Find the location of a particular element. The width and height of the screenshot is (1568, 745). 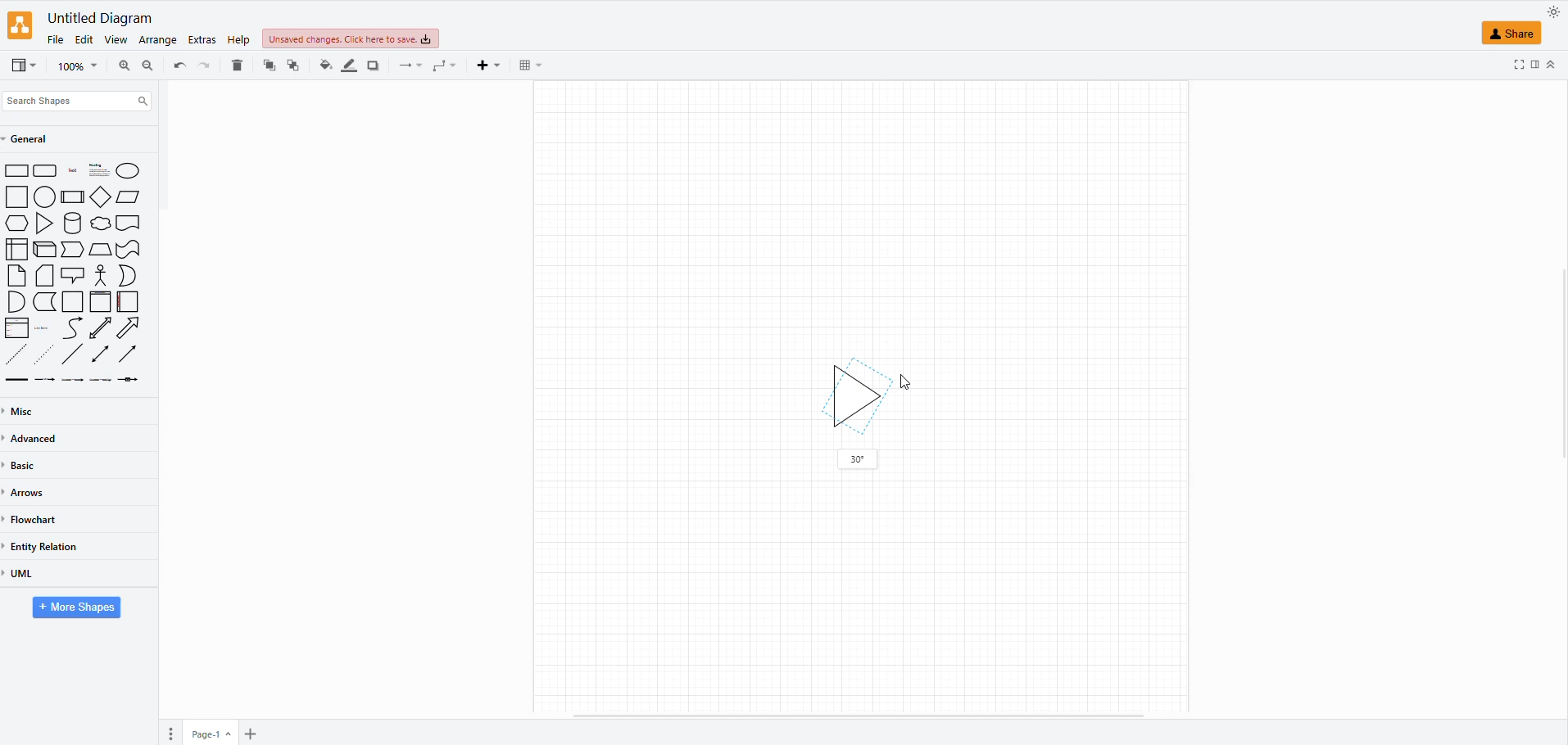

fill color is located at coordinates (324, 63).